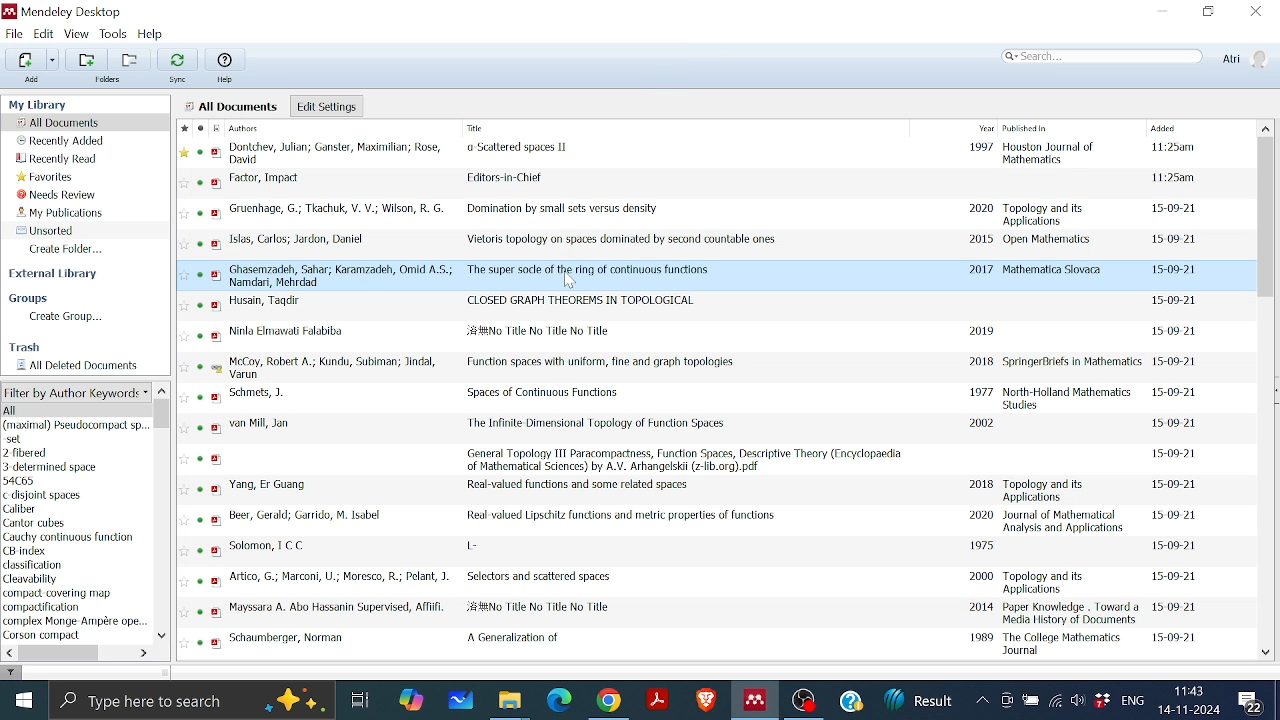 This screenshot has height=720, width=1280. Describe the element at coordinates (34, 580) in the screenshot. I see `Cleavability` at that location.